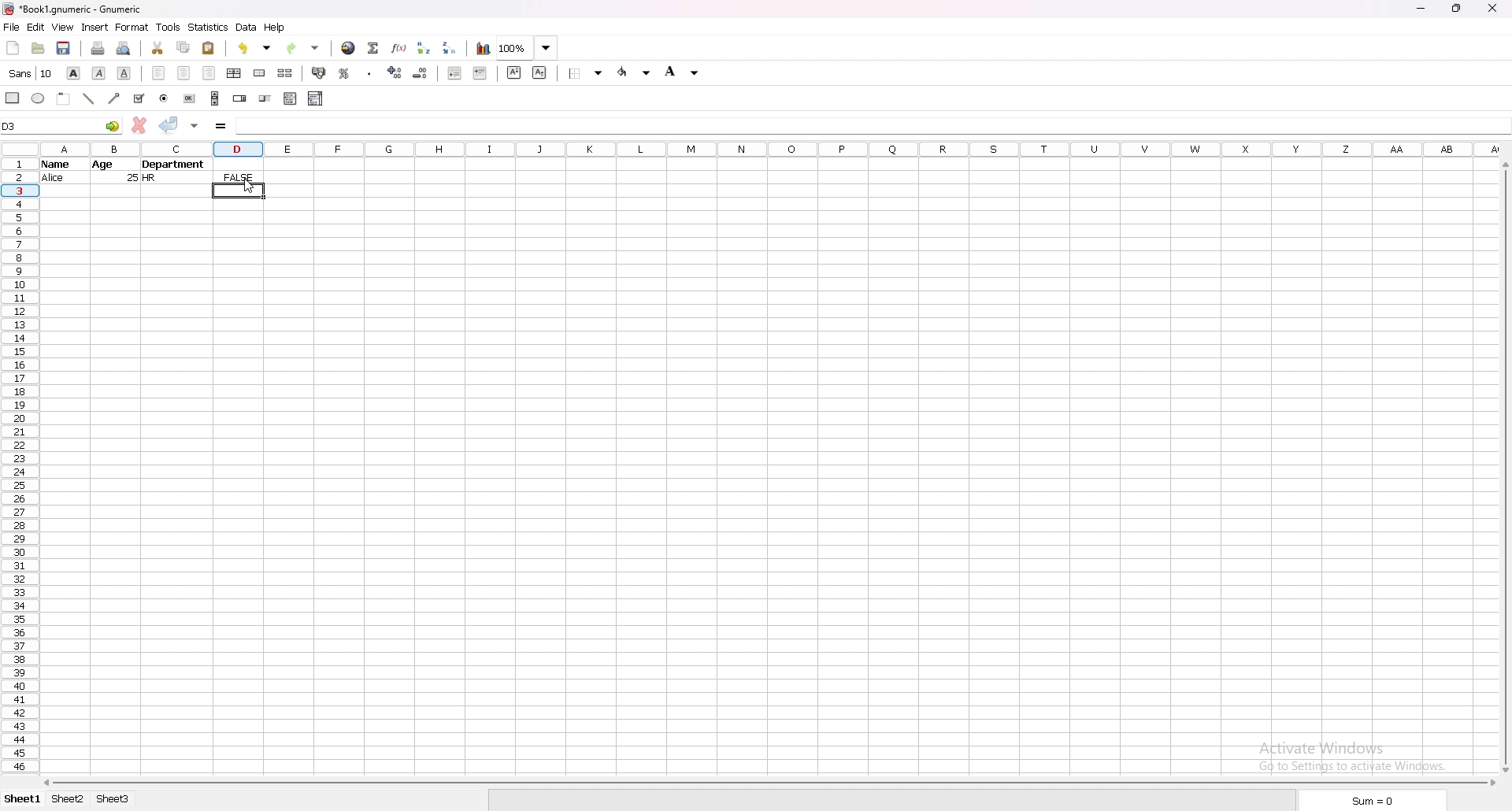 The width and height of the screenshot is (1512, 811). I want to click on print preview, so click(125, 48).